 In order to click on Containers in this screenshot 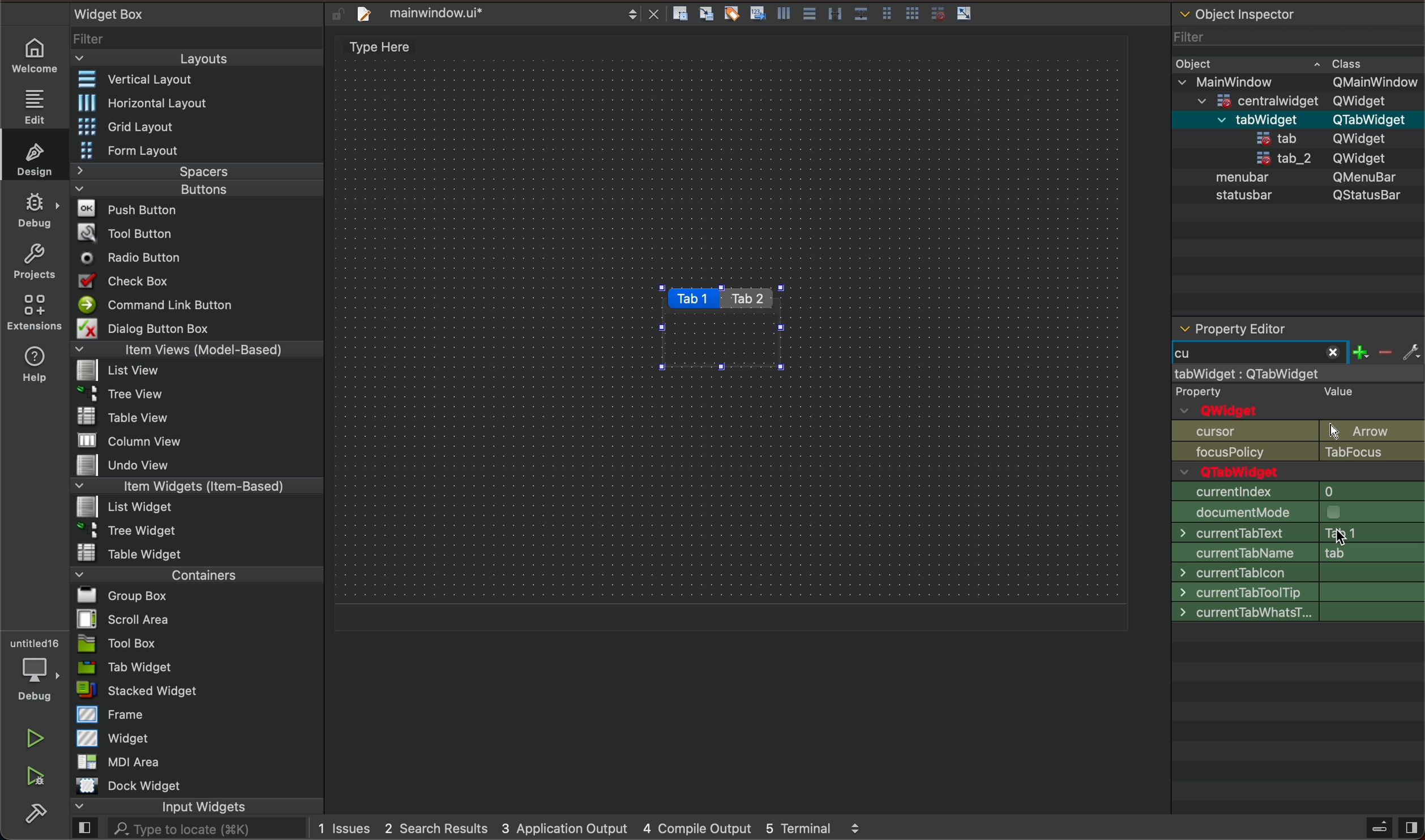, I will do `click(194, 573)`.